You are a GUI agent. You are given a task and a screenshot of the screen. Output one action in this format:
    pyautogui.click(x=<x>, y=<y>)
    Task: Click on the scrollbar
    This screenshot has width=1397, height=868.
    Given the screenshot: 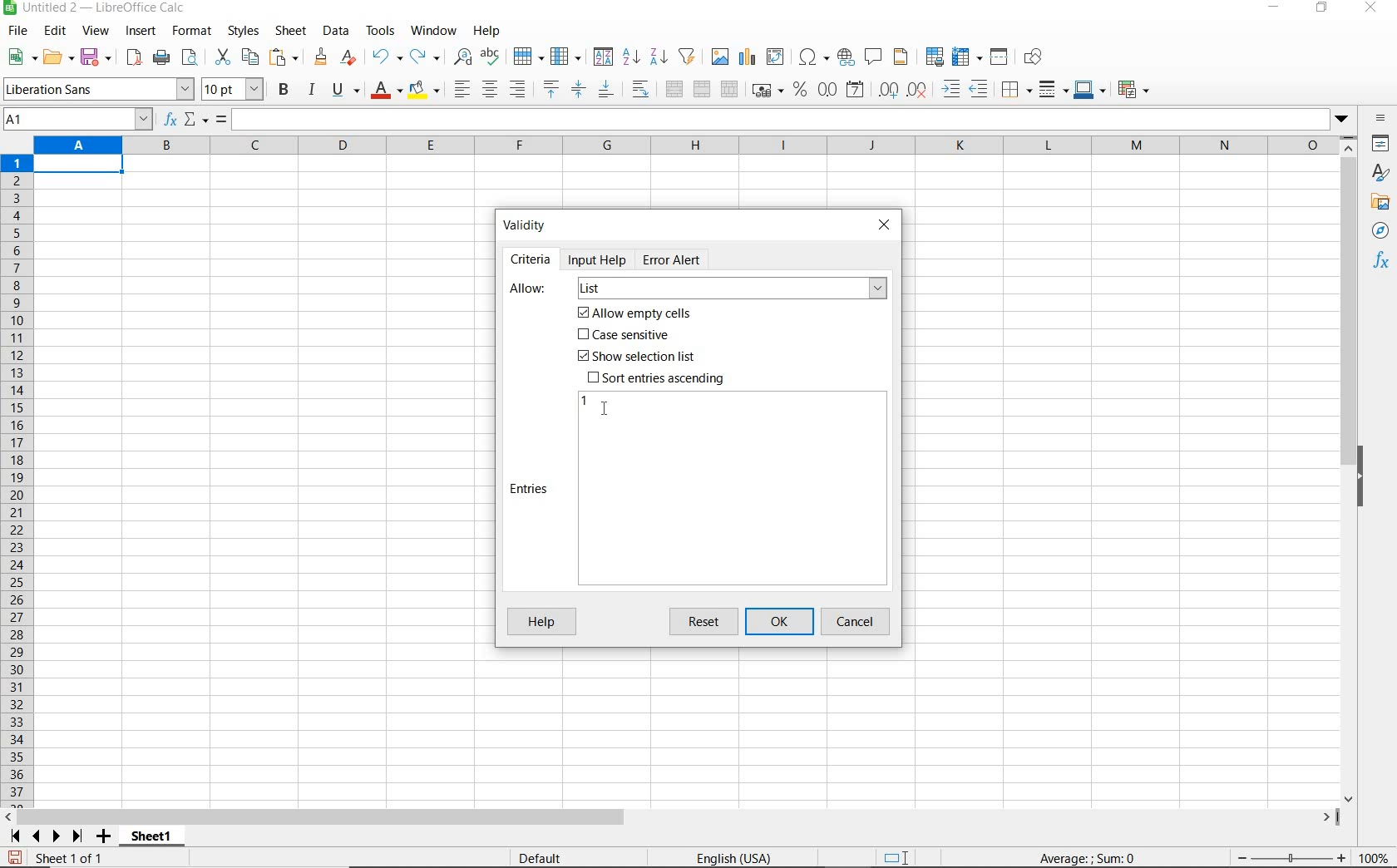 What is the action you would take?
    pyautogui.click(x=671, y=817)
    